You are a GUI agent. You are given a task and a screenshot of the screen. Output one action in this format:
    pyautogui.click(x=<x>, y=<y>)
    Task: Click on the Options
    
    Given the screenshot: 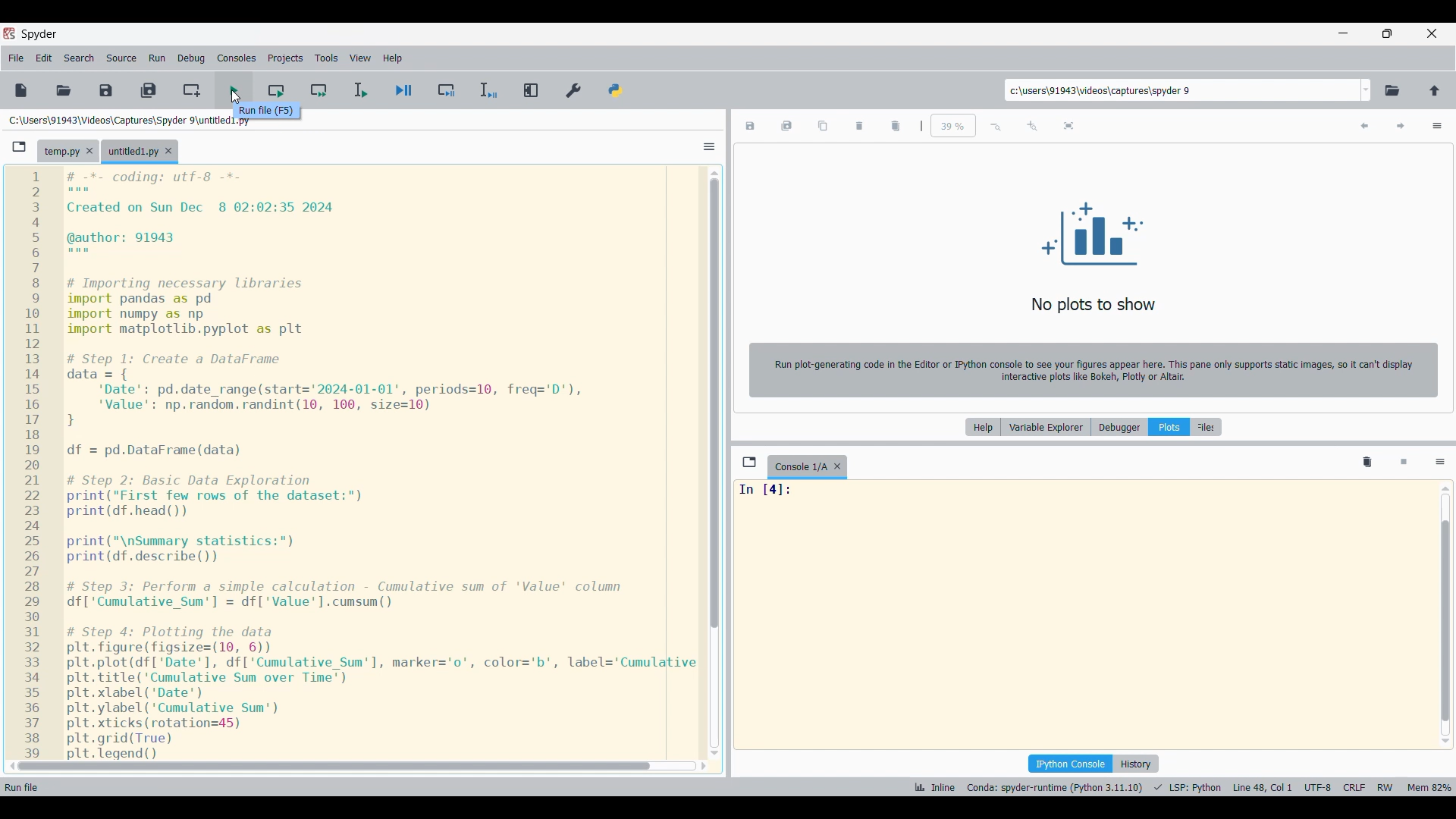 What is the action you would take?
    pyautogui.click(x=1441, y=463)
    